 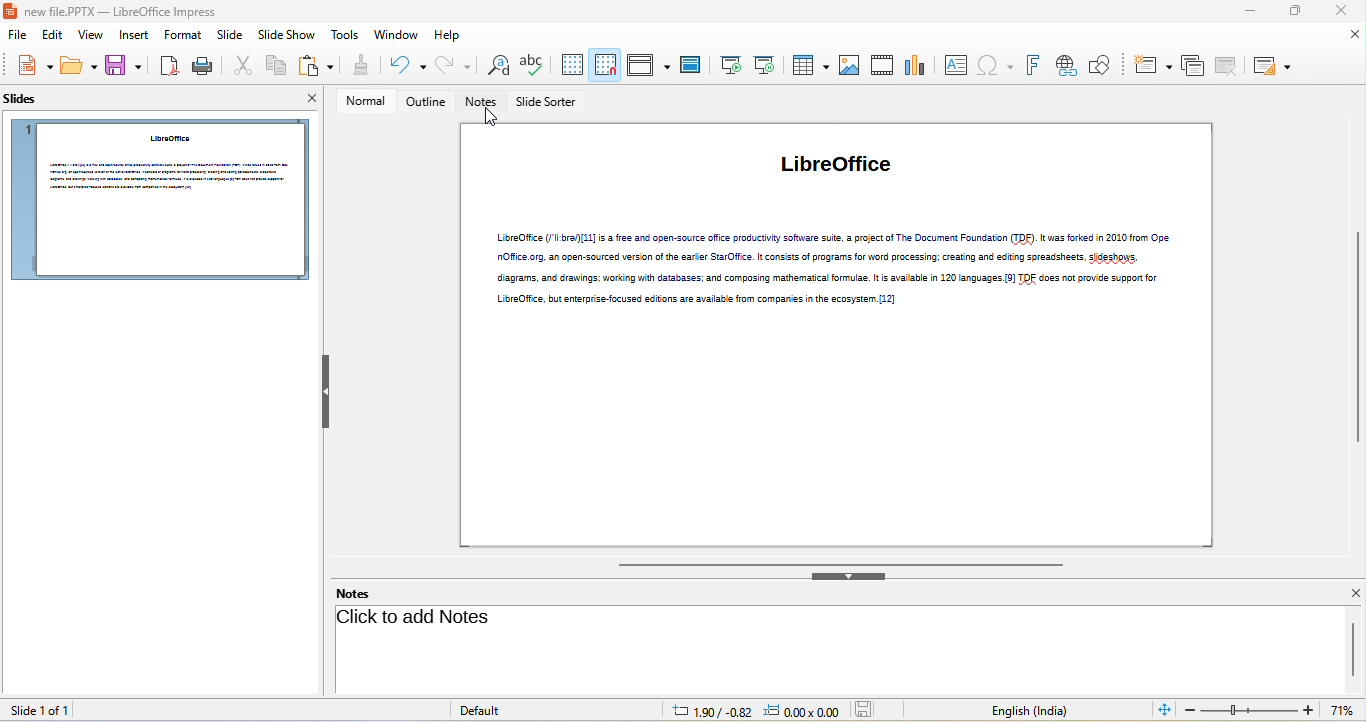 What do you see at coordinates (454, 65) in the screenshot?
I see `redo` at bounding box center [454, 65].